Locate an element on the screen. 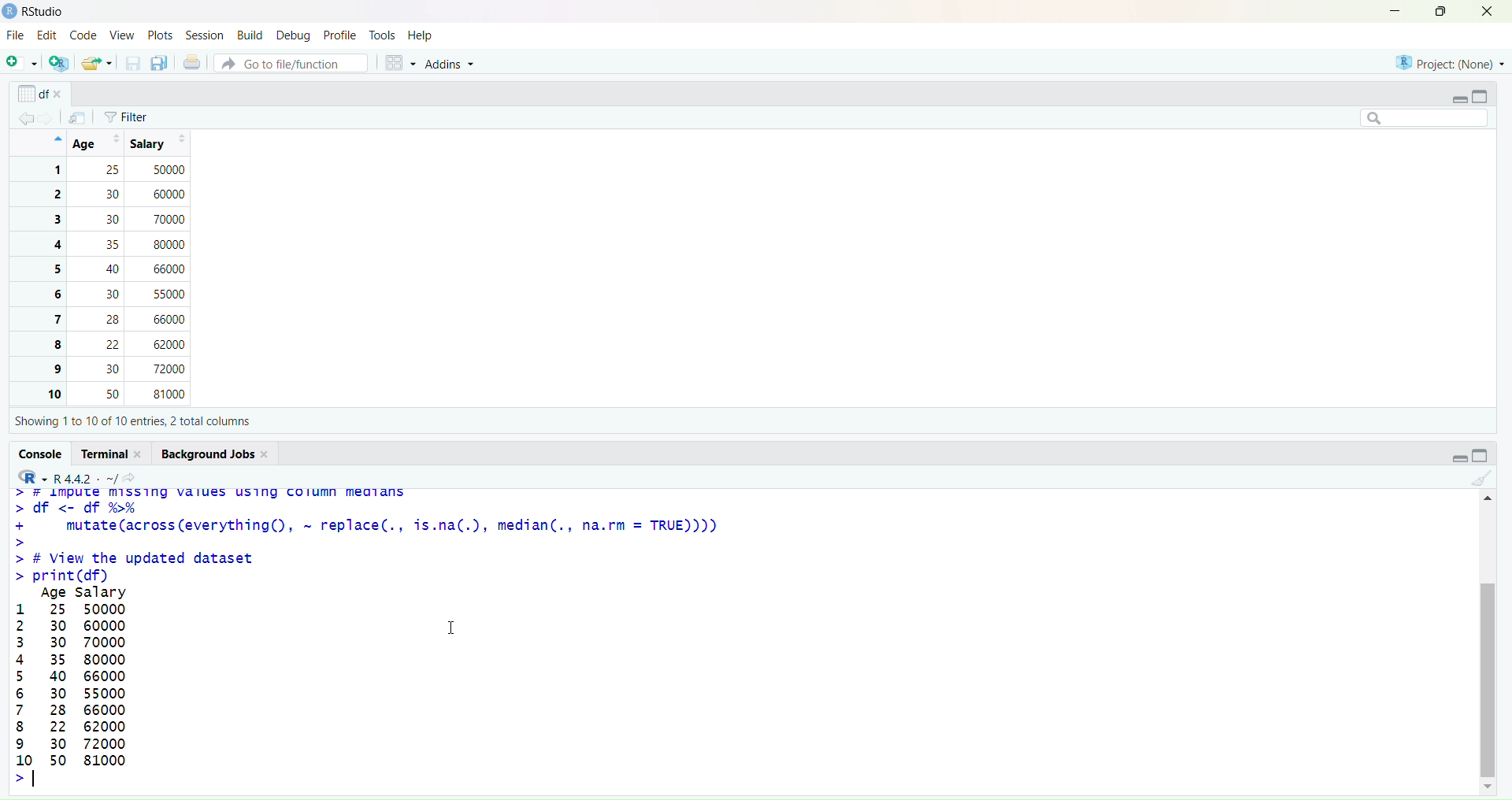 The height and width of the screenshot is (800, 1512). tools is located at coordinates (384, 35).